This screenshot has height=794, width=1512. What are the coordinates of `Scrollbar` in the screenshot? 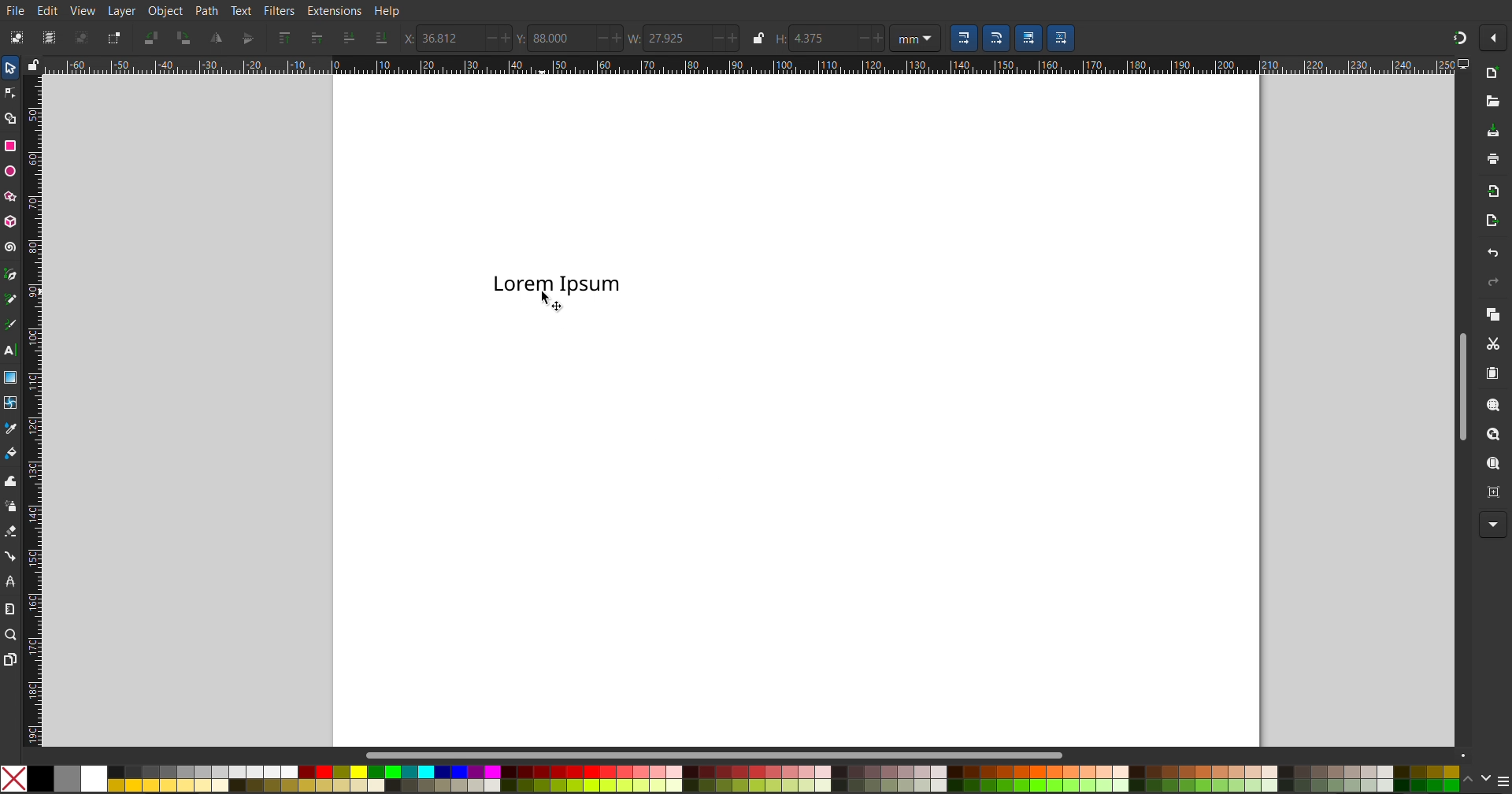 It's located at (724, 755).